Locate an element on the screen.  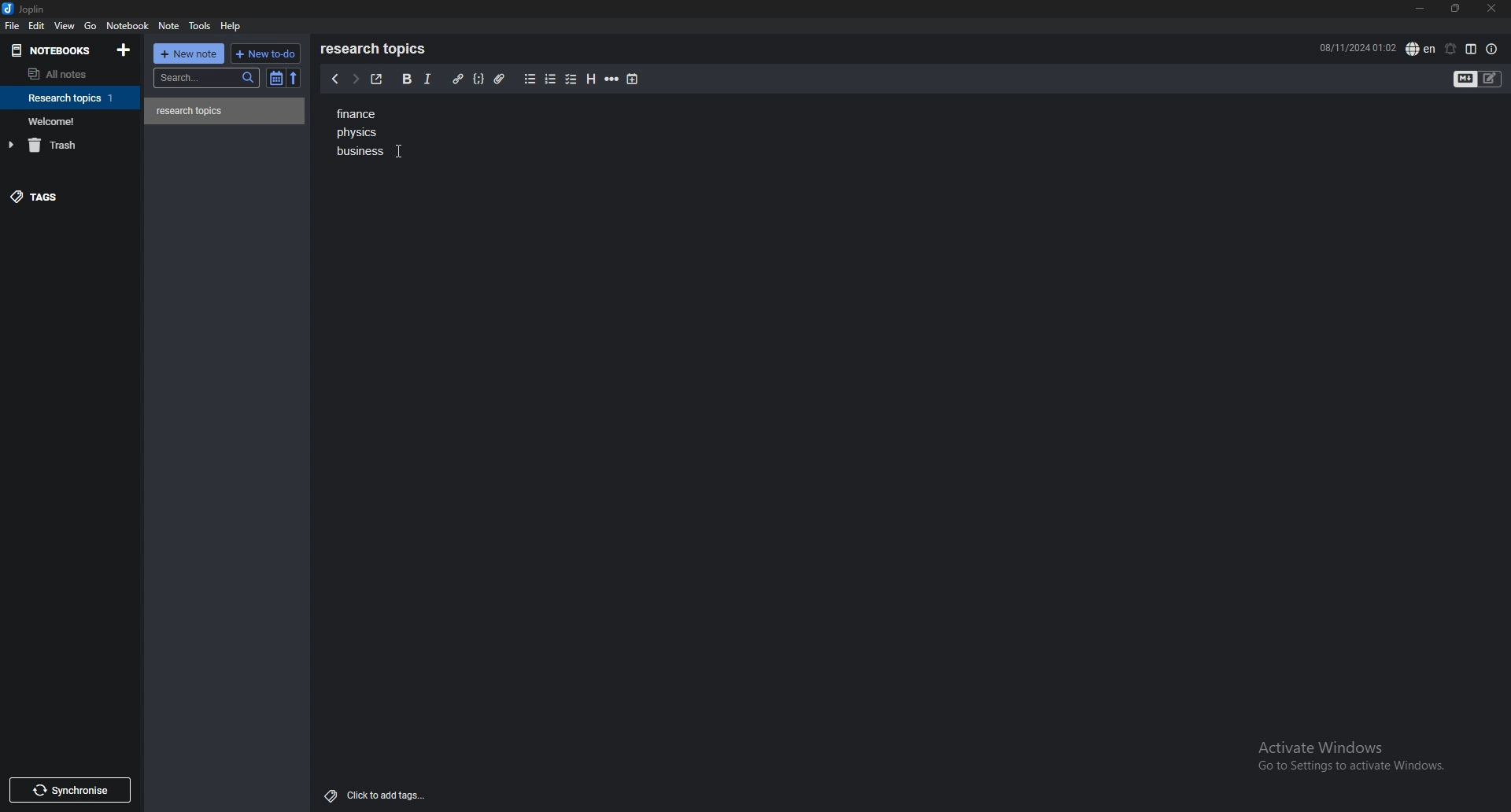
go is located at coordinates (90, 26).